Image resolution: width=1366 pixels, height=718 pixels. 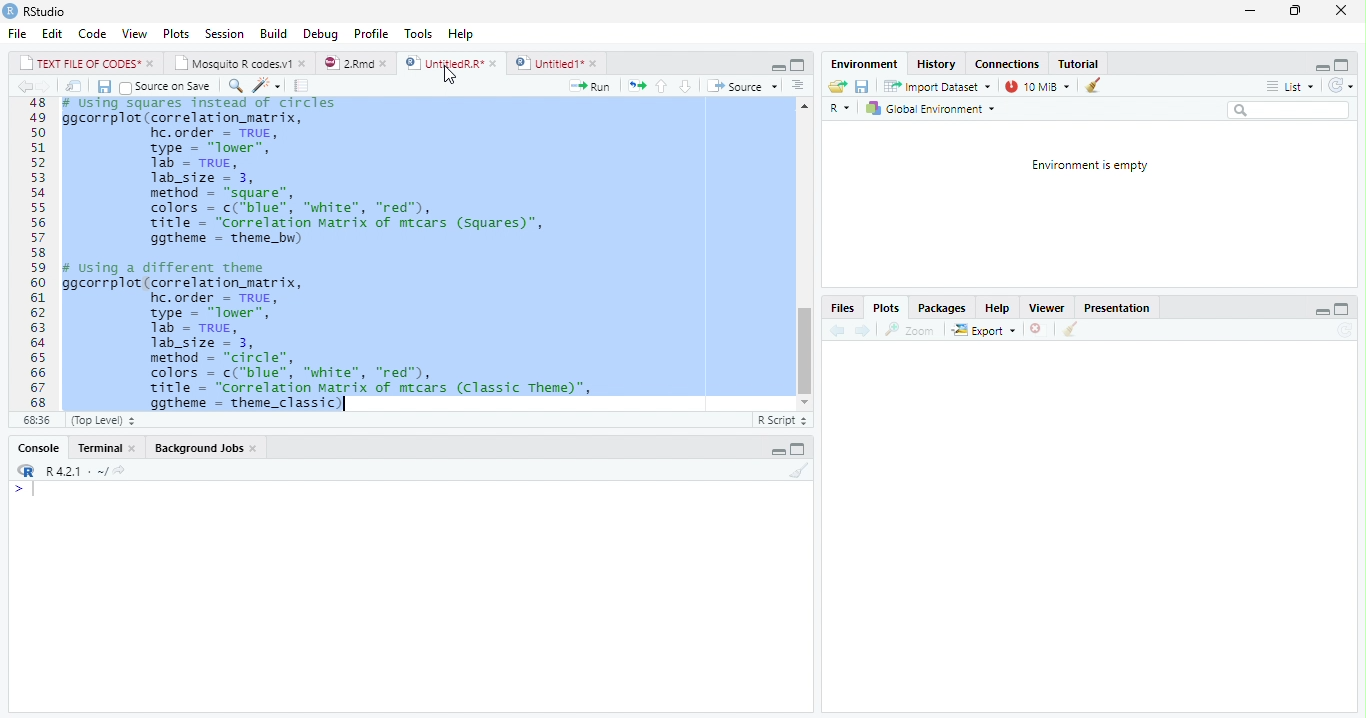 What do you see at coordinates (1344, 310) in the screenshot?
I see `hide console` at bounding box center [1344, 310].